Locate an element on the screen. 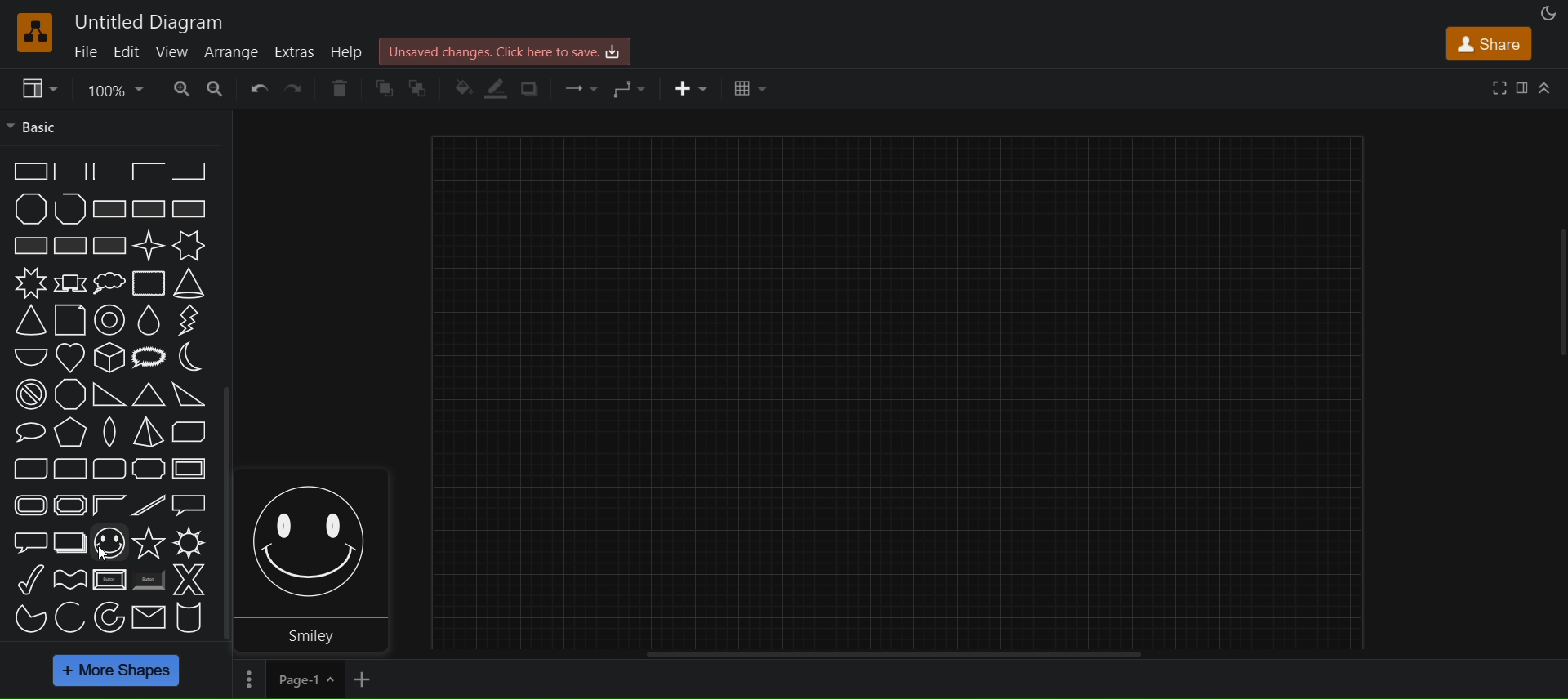 The image size is (1568, 699). drop  is located at coordinates (152, 322).